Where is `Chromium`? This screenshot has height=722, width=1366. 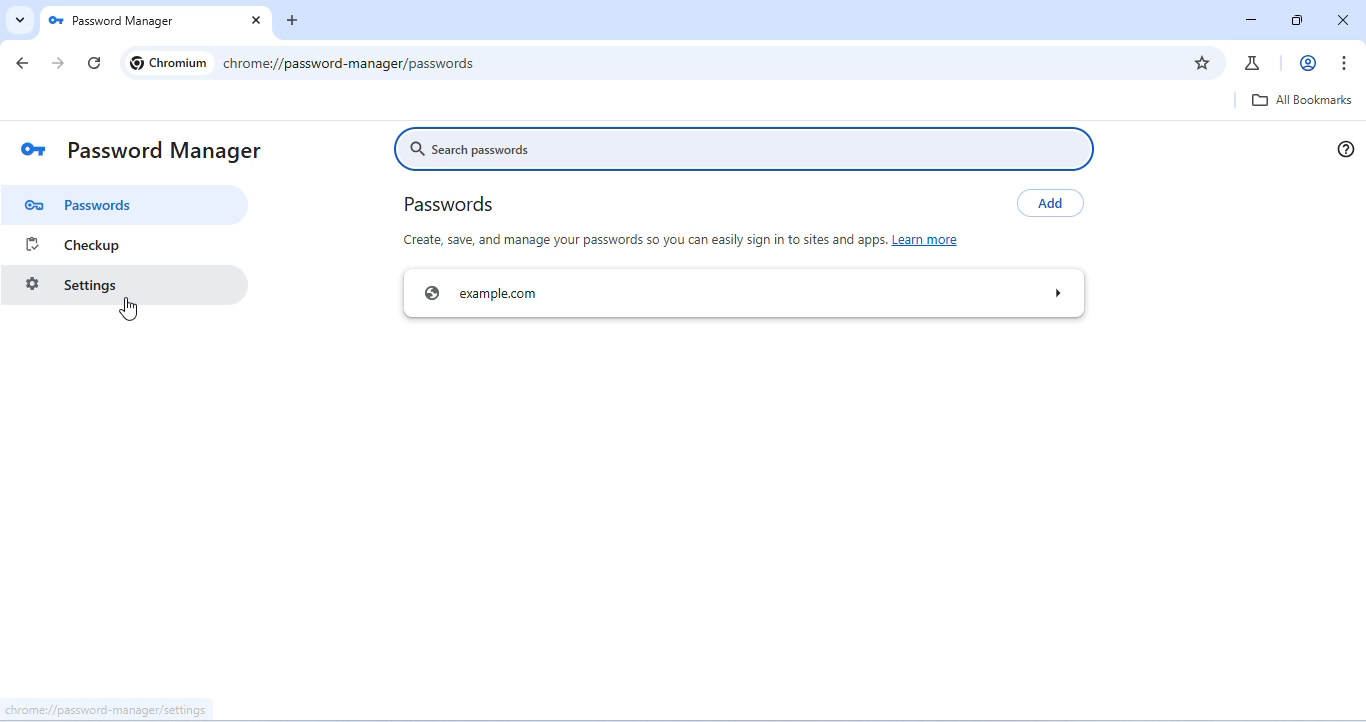 Chromium is located at coordinates (168, 62).